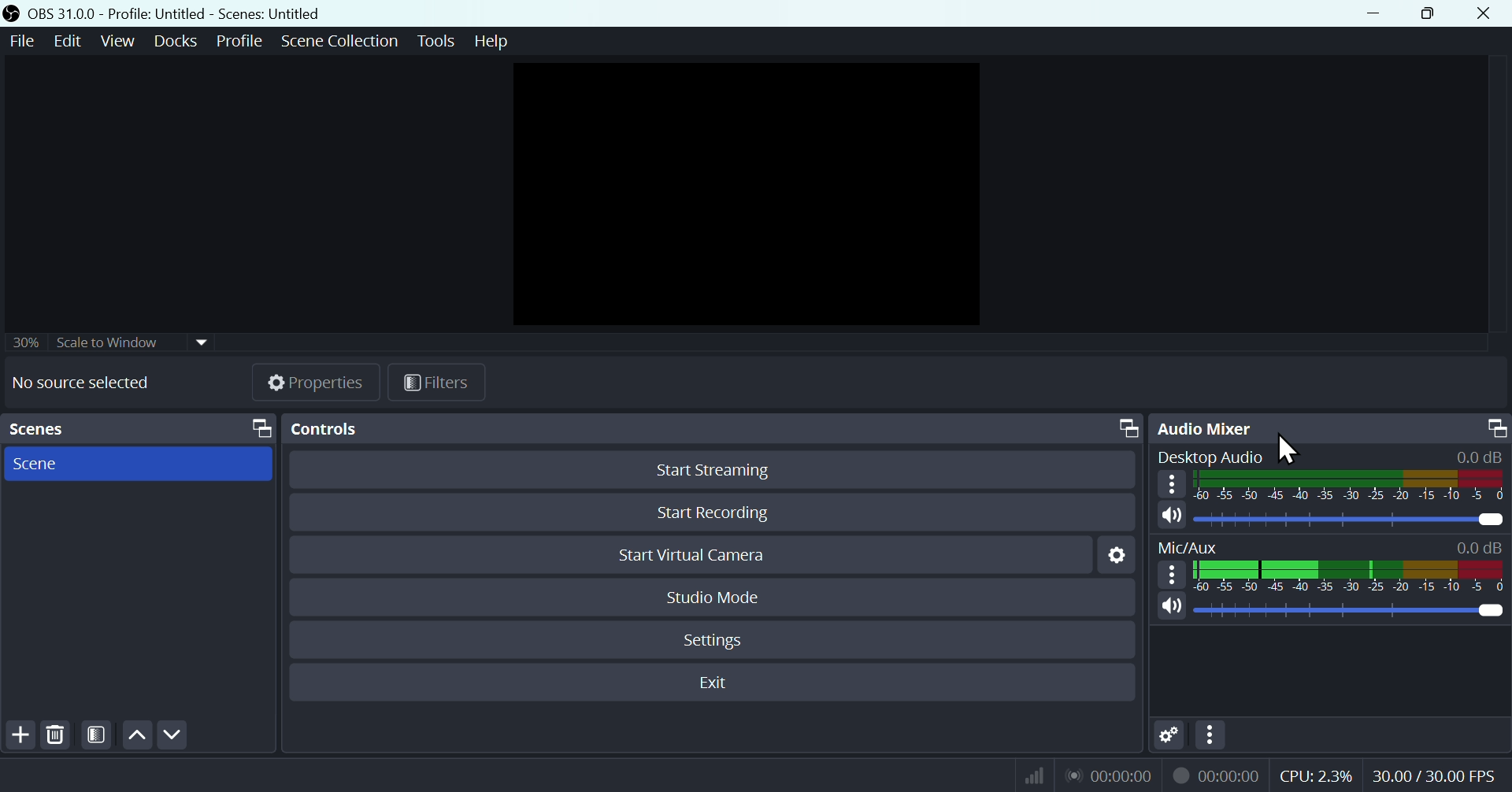 Image resolution: width=1512 pixels, height=792 pixels. I want to click on Live Status, so click(1111, 775).